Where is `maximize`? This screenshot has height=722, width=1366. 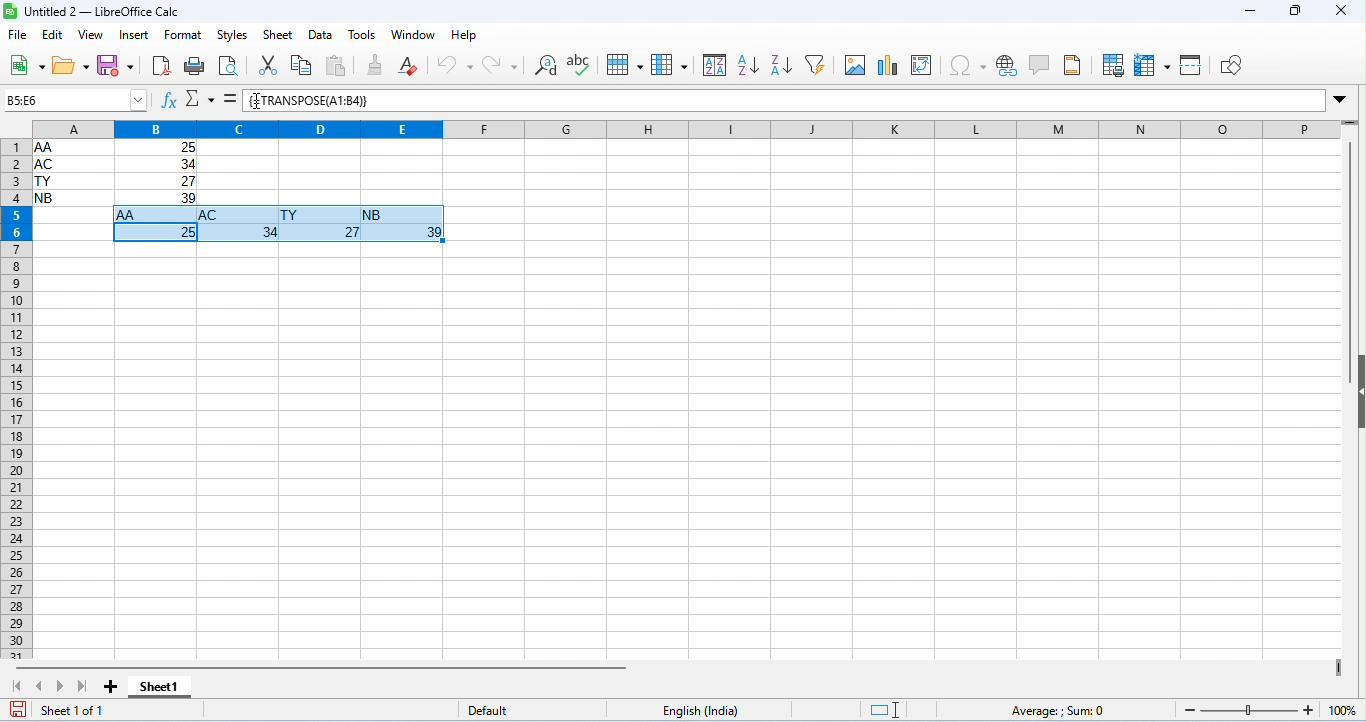
maximize is located at coordinates (1296, 12).